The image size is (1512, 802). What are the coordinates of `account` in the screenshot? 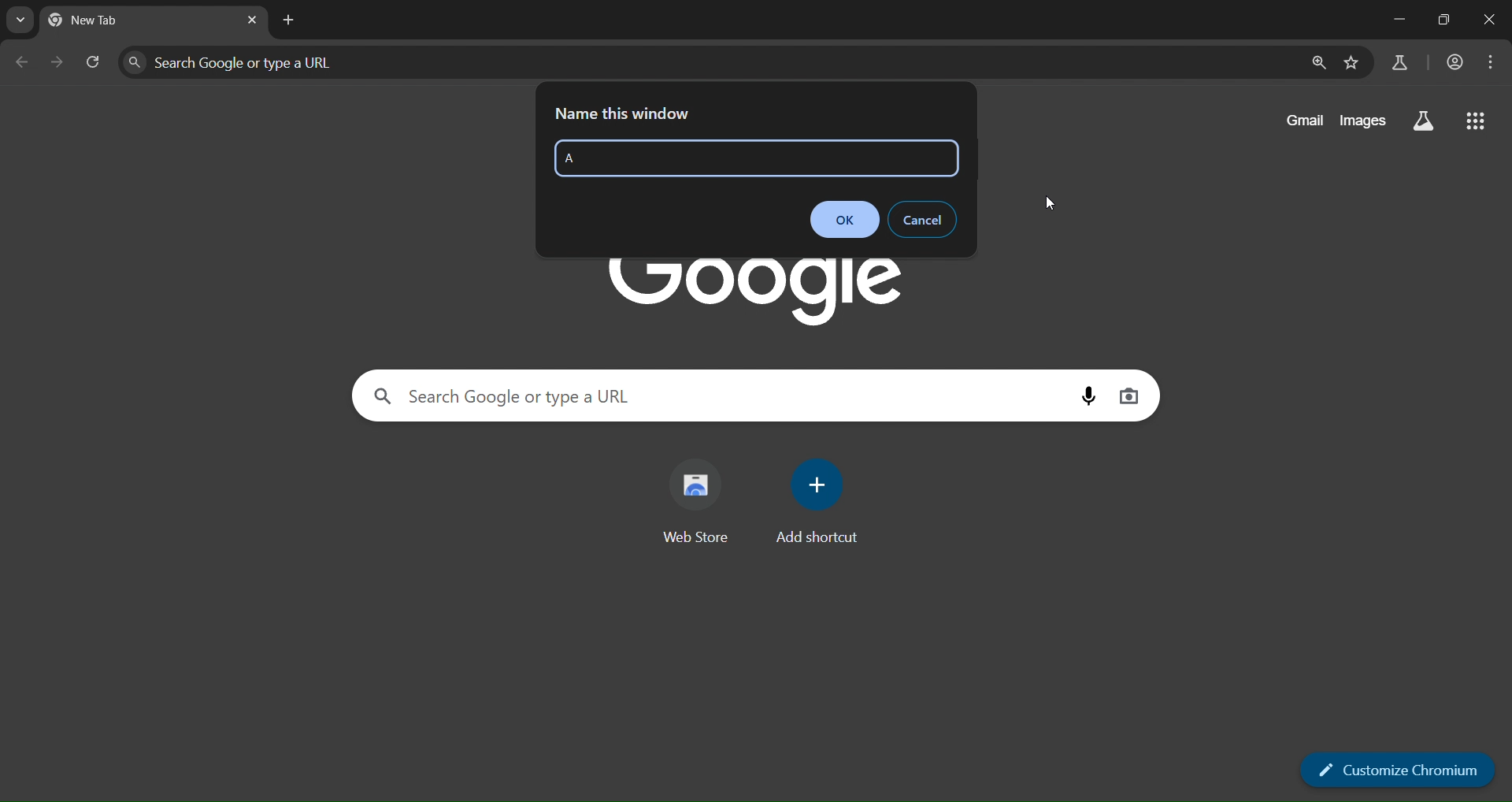 It's located at (1458, 61).